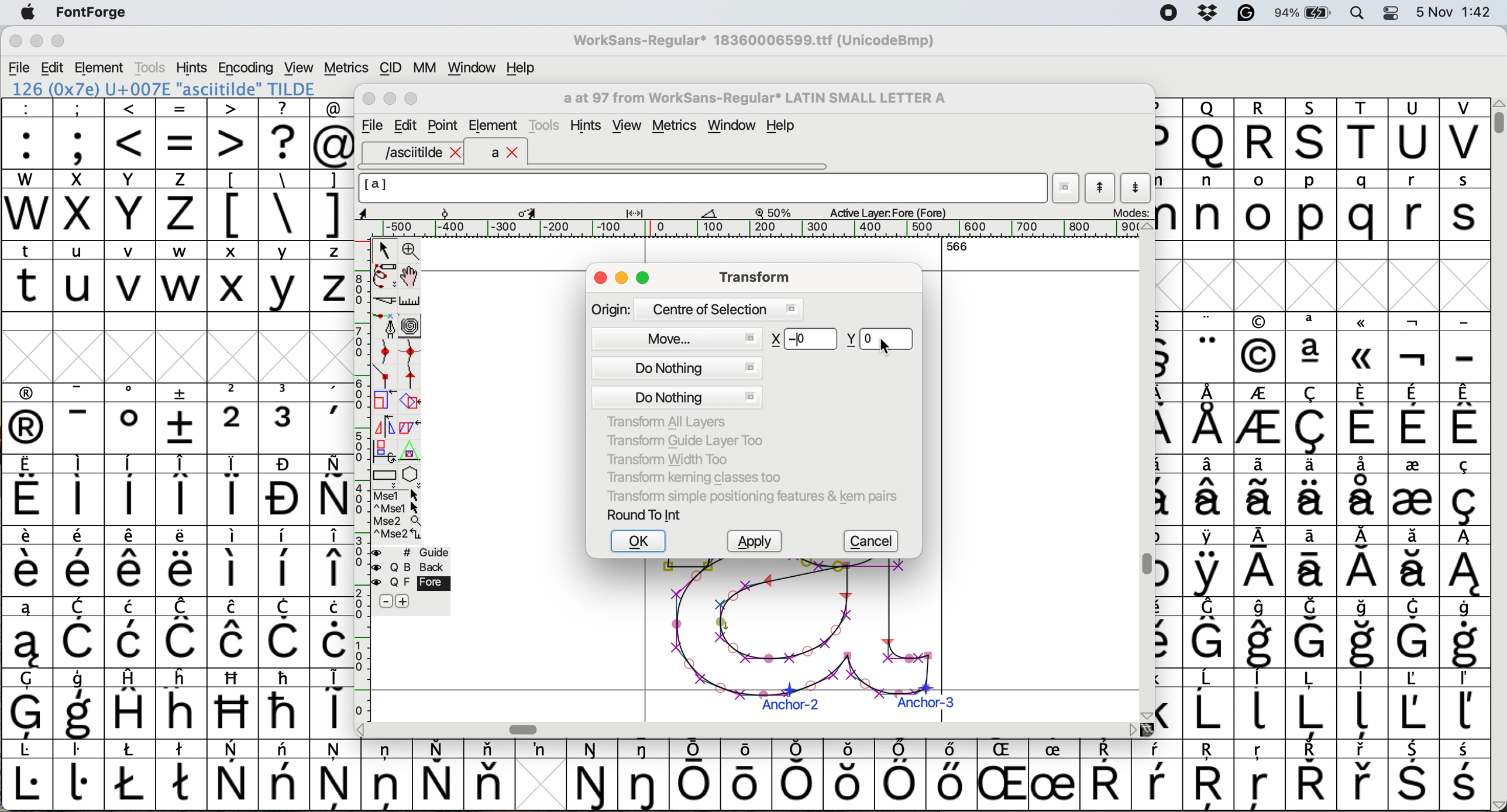  What do you see at coordinates (149, 67) in the screenshot?
I see `tools` at bounding box center [149, 67].